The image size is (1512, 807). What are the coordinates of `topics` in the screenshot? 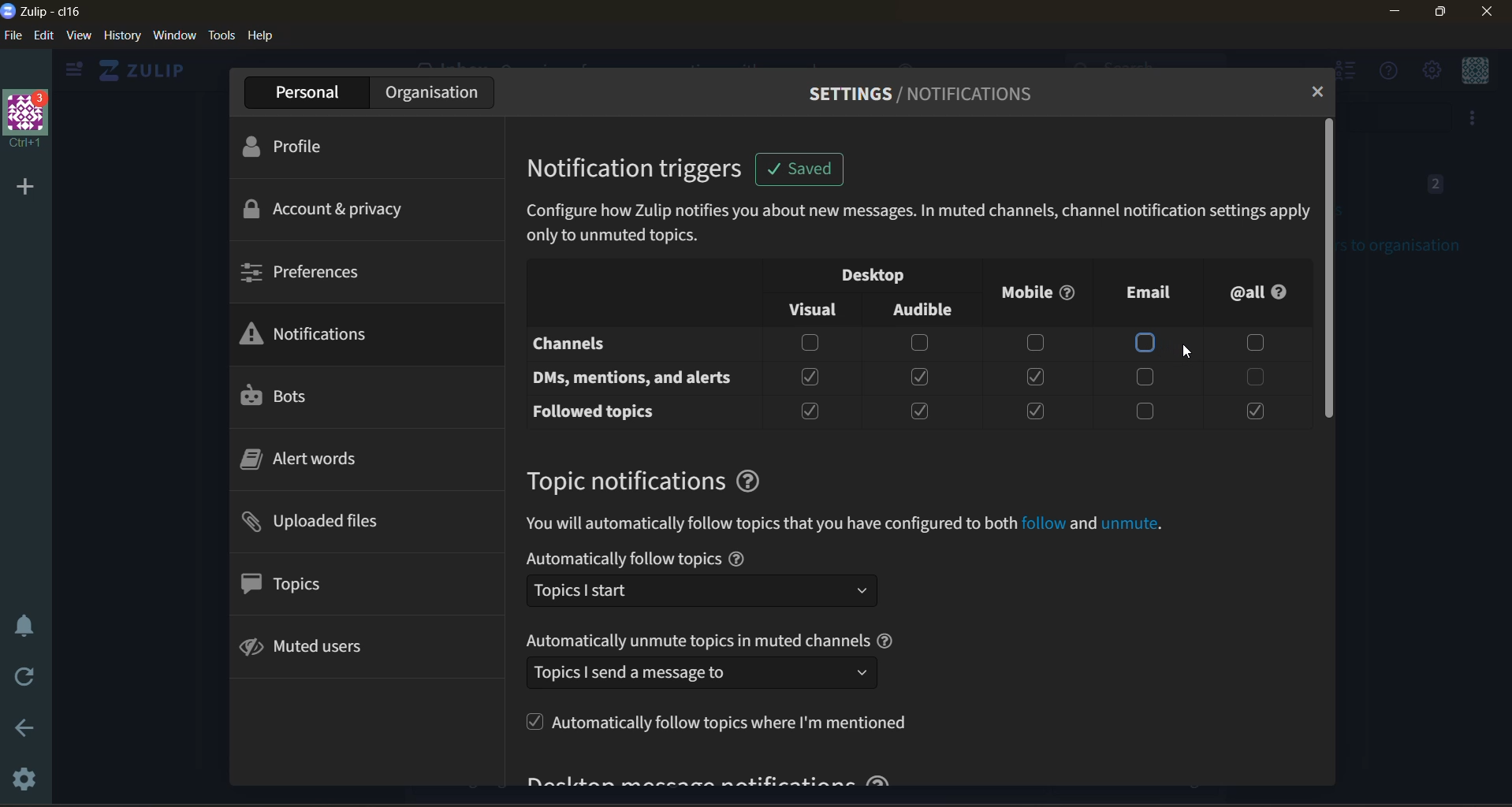 It's located at (303, 585).